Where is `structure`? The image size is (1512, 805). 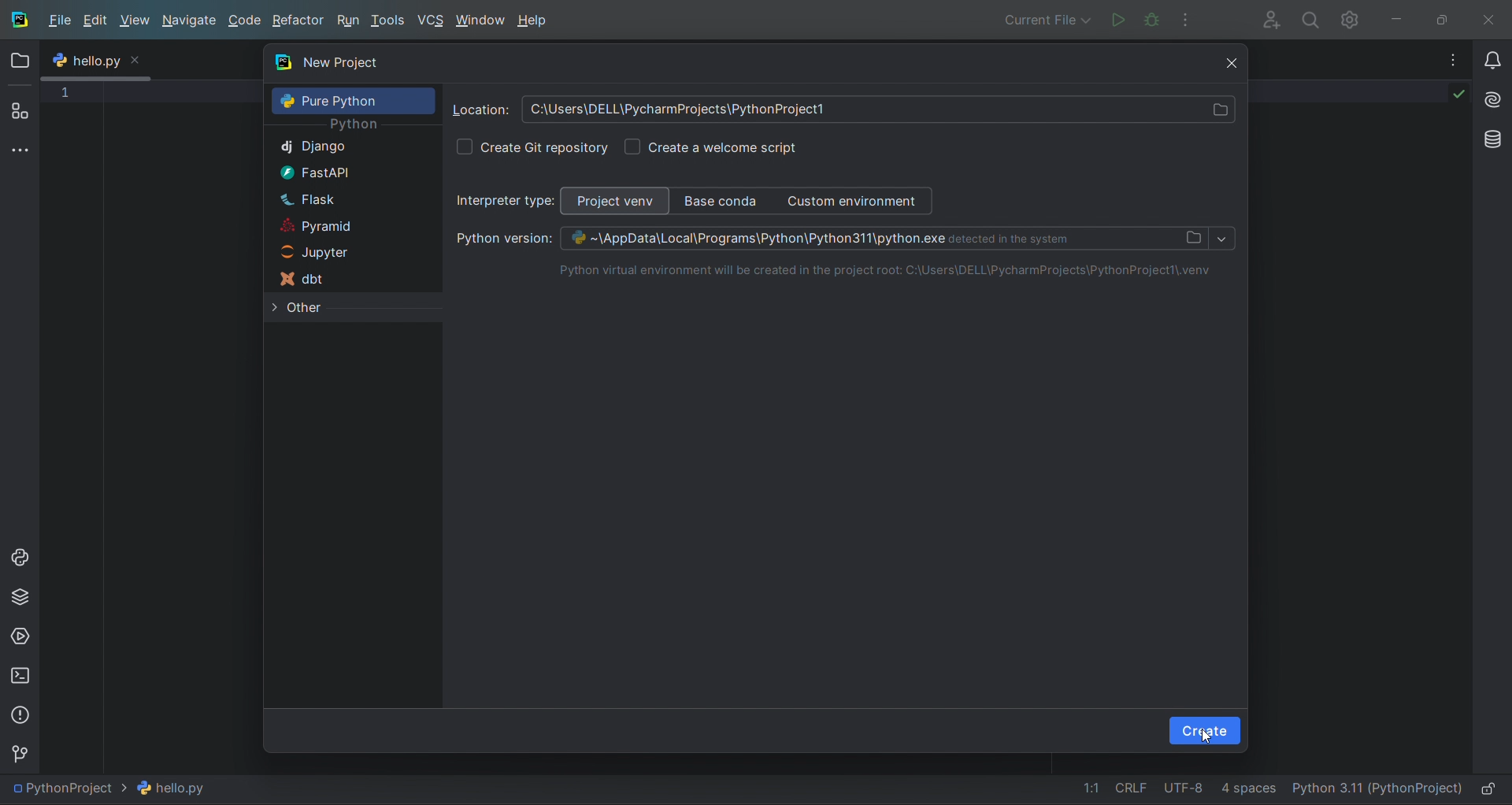
structure is located at coordinates (20, 112).